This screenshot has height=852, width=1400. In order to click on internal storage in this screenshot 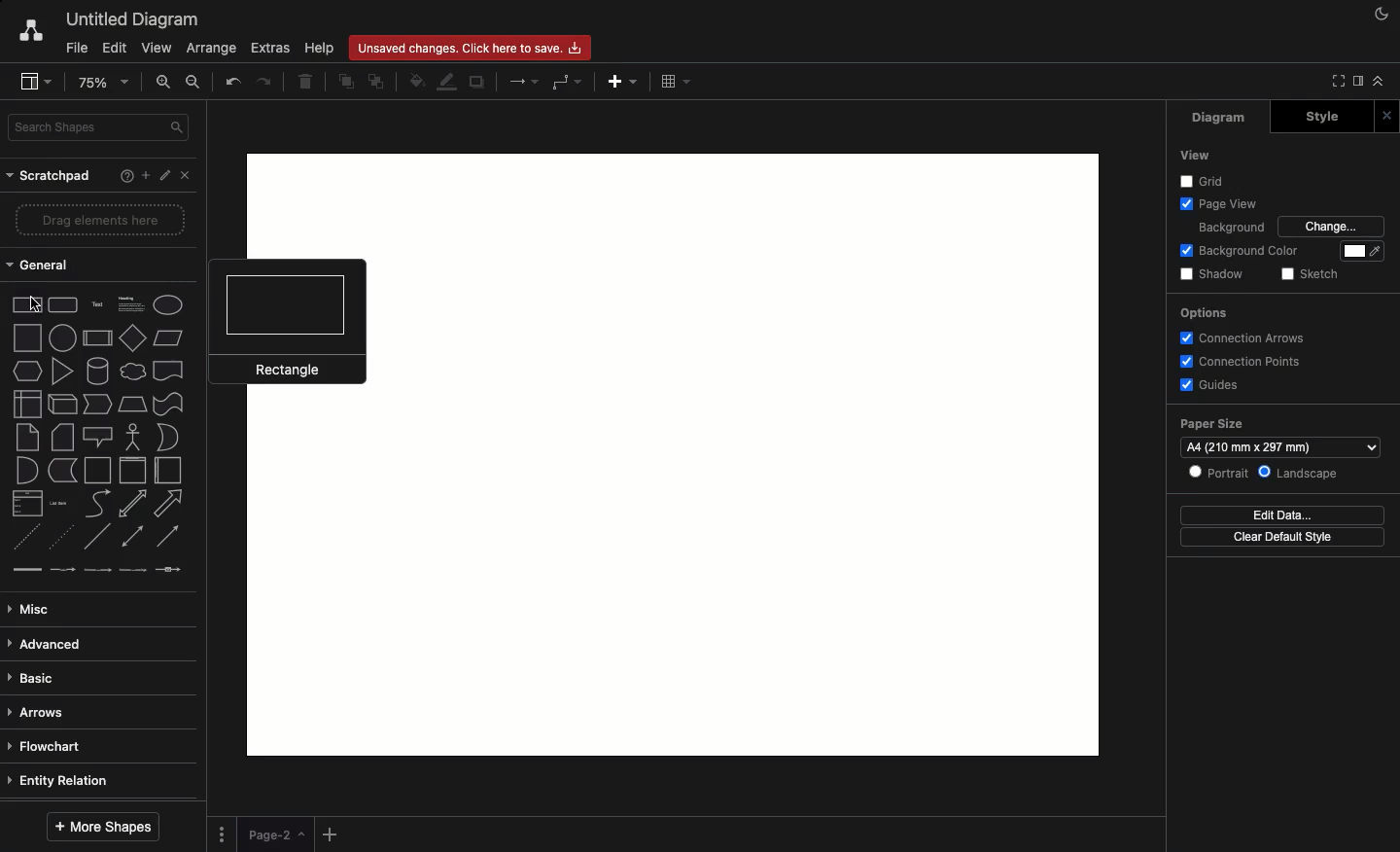, I will do `click(22, 405)`.